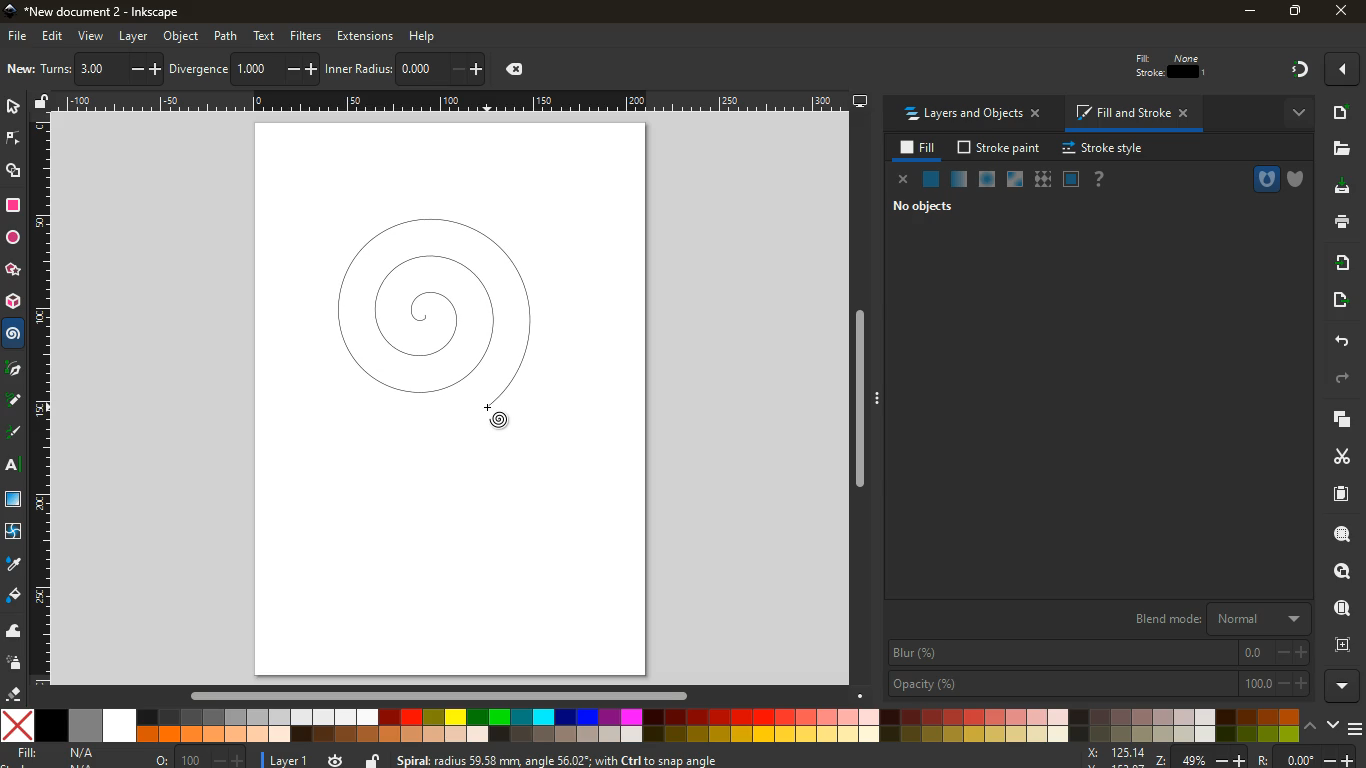  Describe the element at coordinates (1299, 179) in the screenshot. I see `shield` at that location.